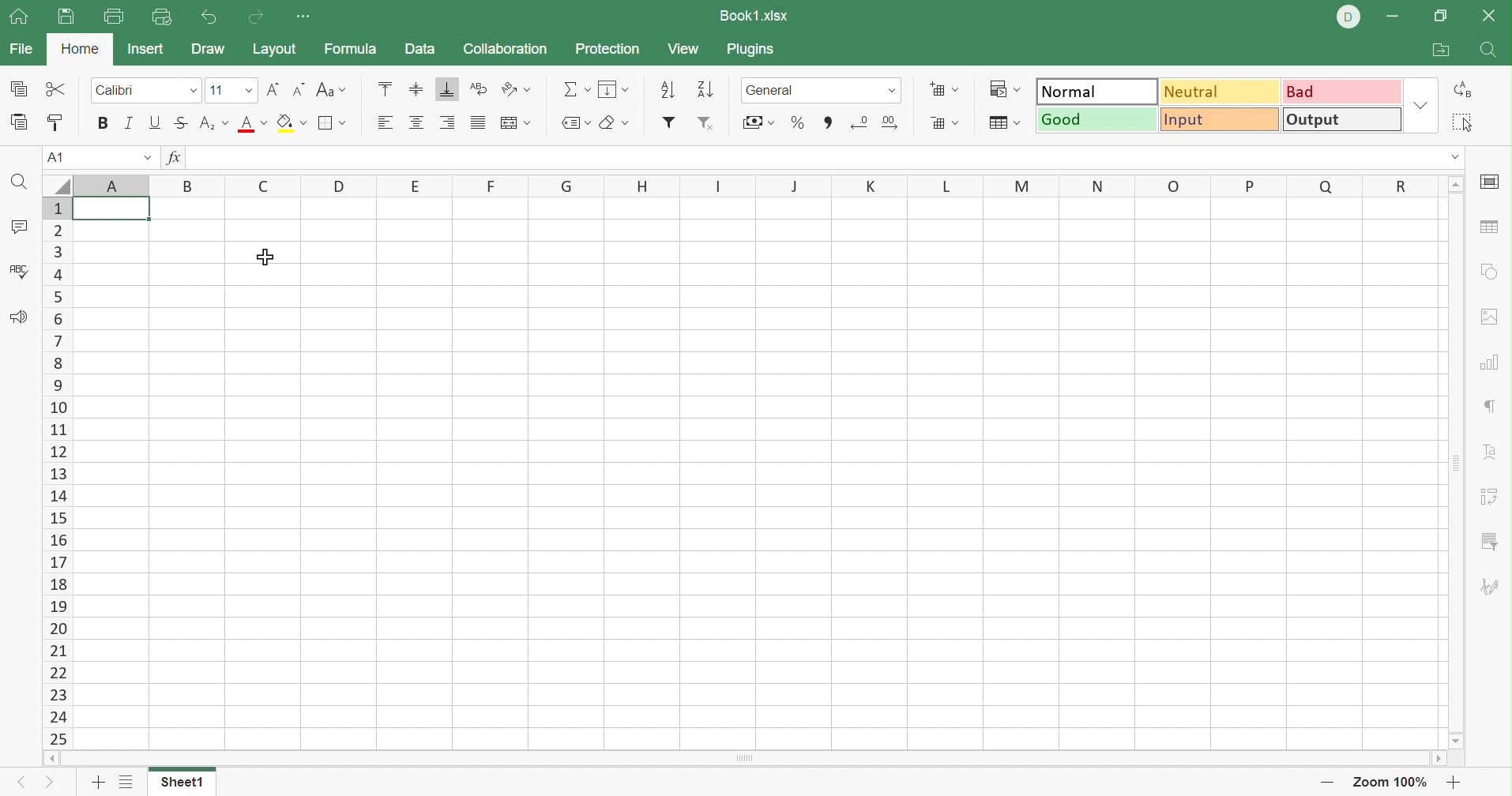 This screenshot has height=796, width=1512. I want to click on Draw, so click(207, 47).